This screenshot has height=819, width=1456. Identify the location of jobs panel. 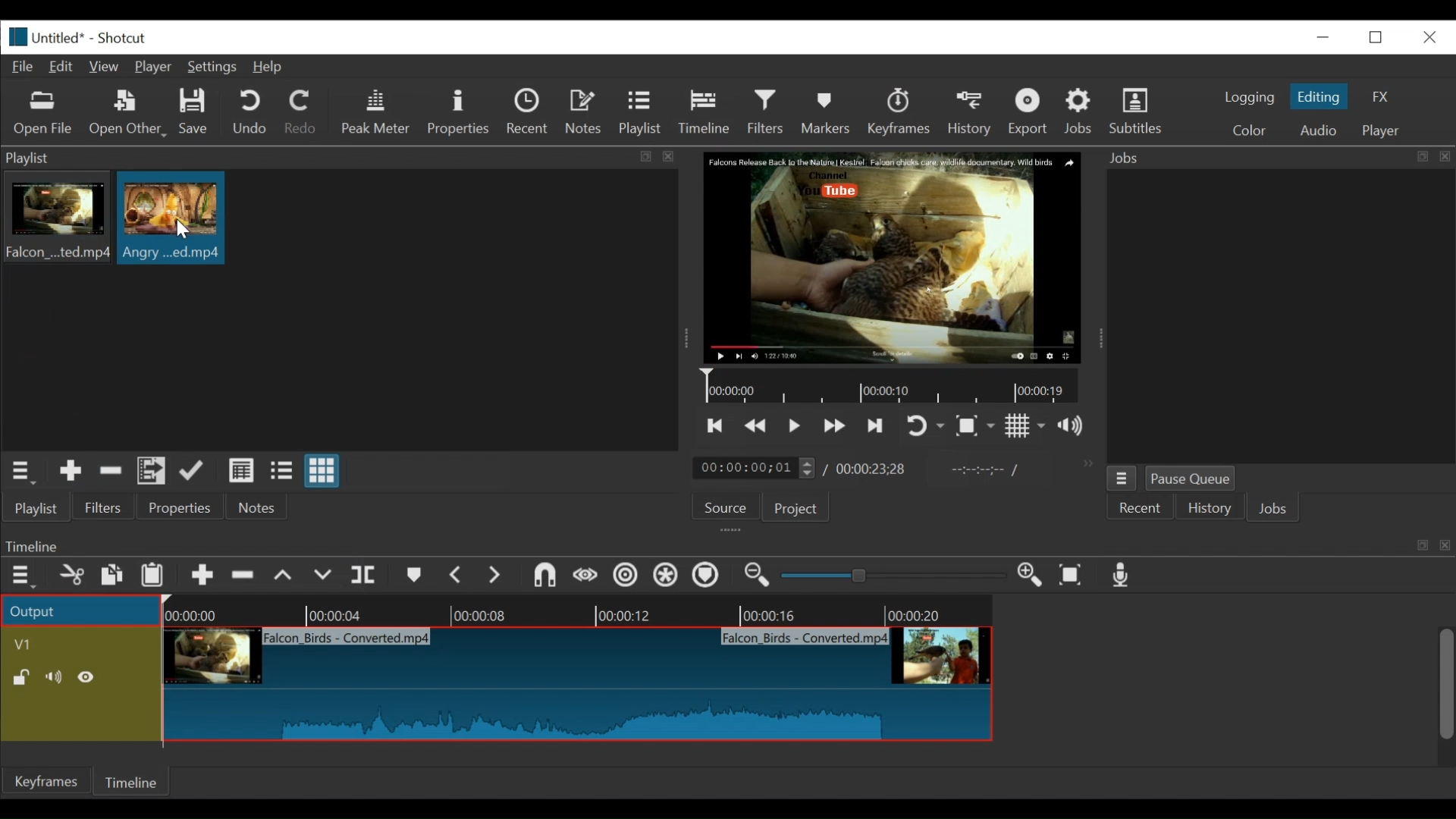
(1280, 315).